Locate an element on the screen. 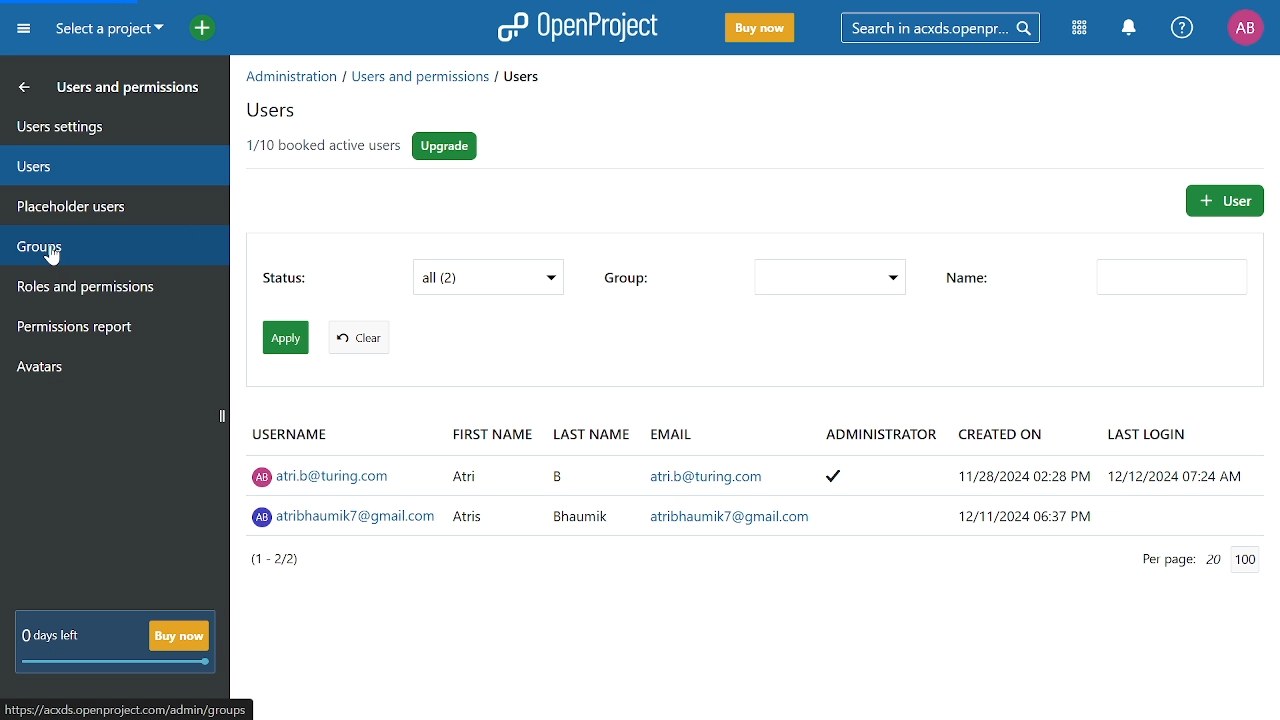 This screenshot has width=1280, height=720. placeholder users is located at coordinates (102, 205).